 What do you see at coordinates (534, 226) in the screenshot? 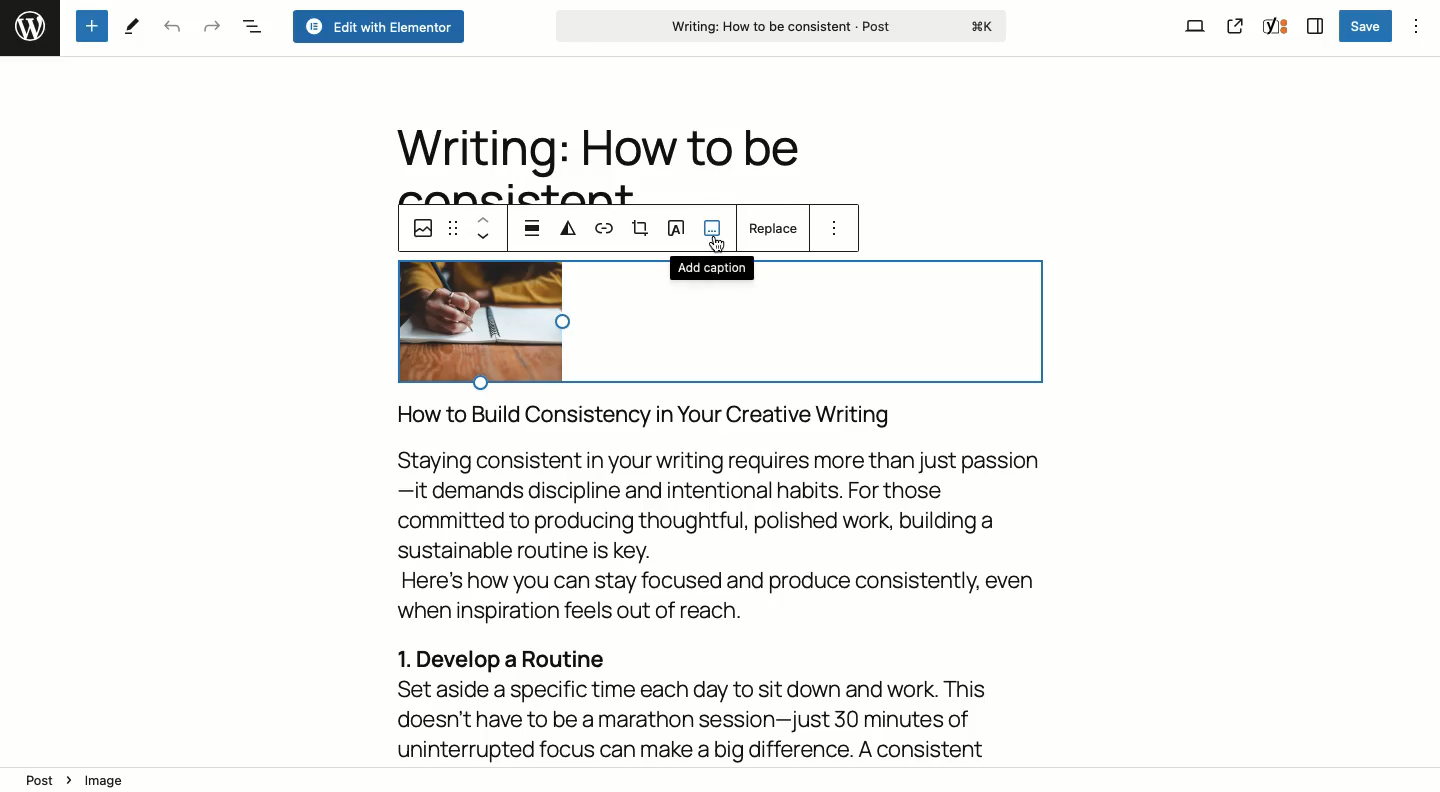
I see `Align` at bounding box center [534, 226].